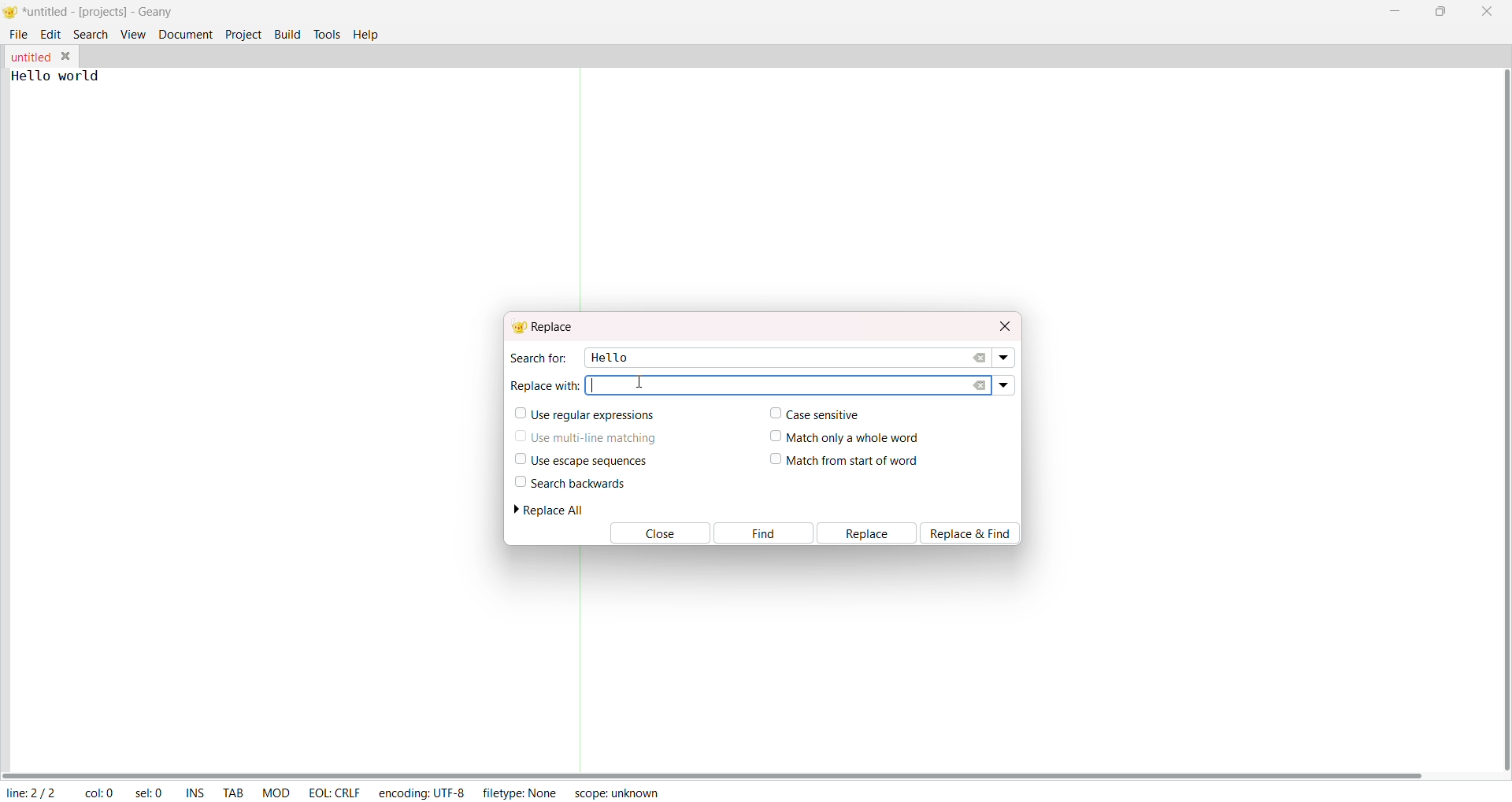 The image size is (1512, 802). What do you see at coordinates (595, 386) in the screenshot?
I see `Text cursor` at bounding box center [595, 386].